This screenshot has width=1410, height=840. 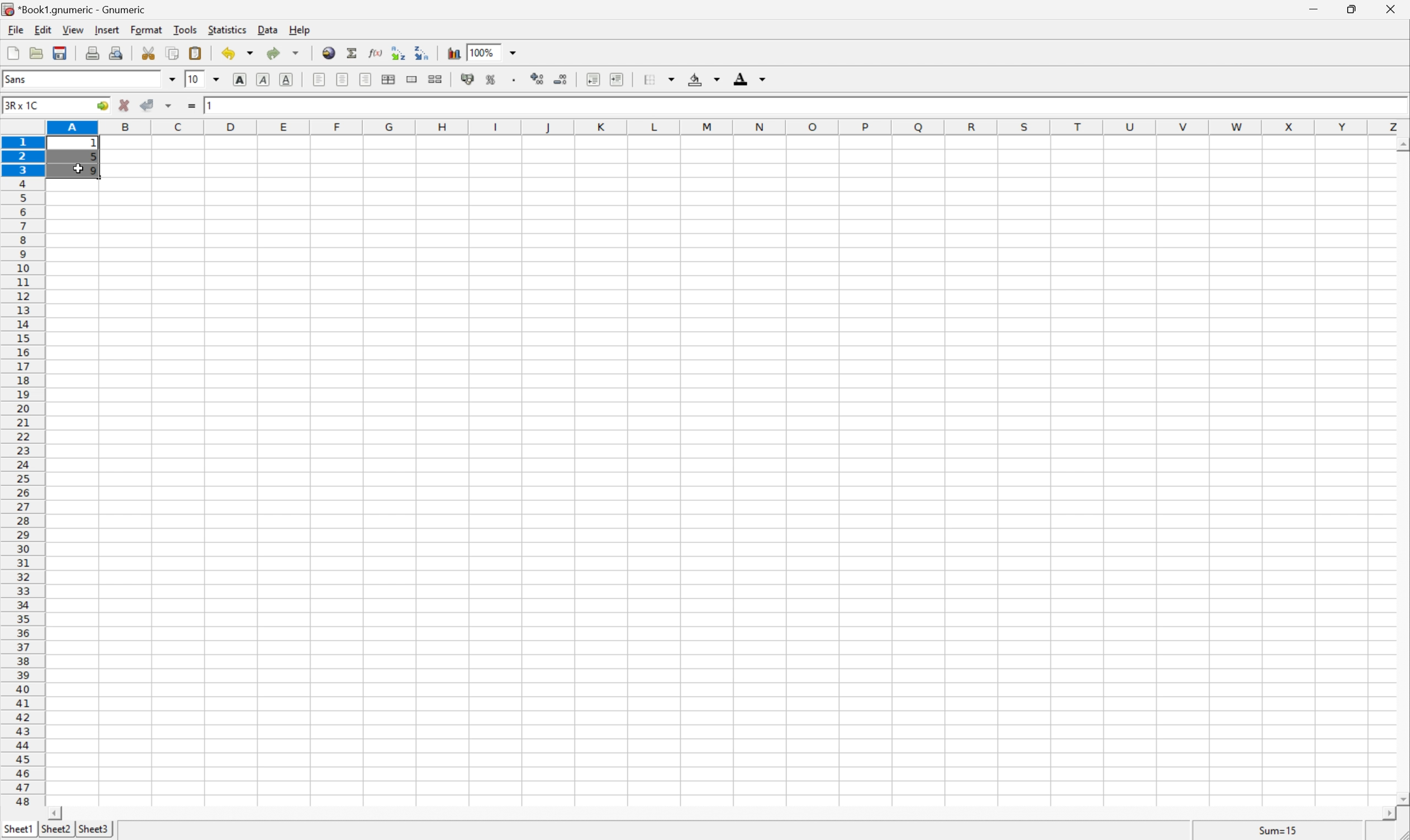 What do you see at coordinates (14, 50) in the screenshot?
I see `new` at bounding box center [14, 50].